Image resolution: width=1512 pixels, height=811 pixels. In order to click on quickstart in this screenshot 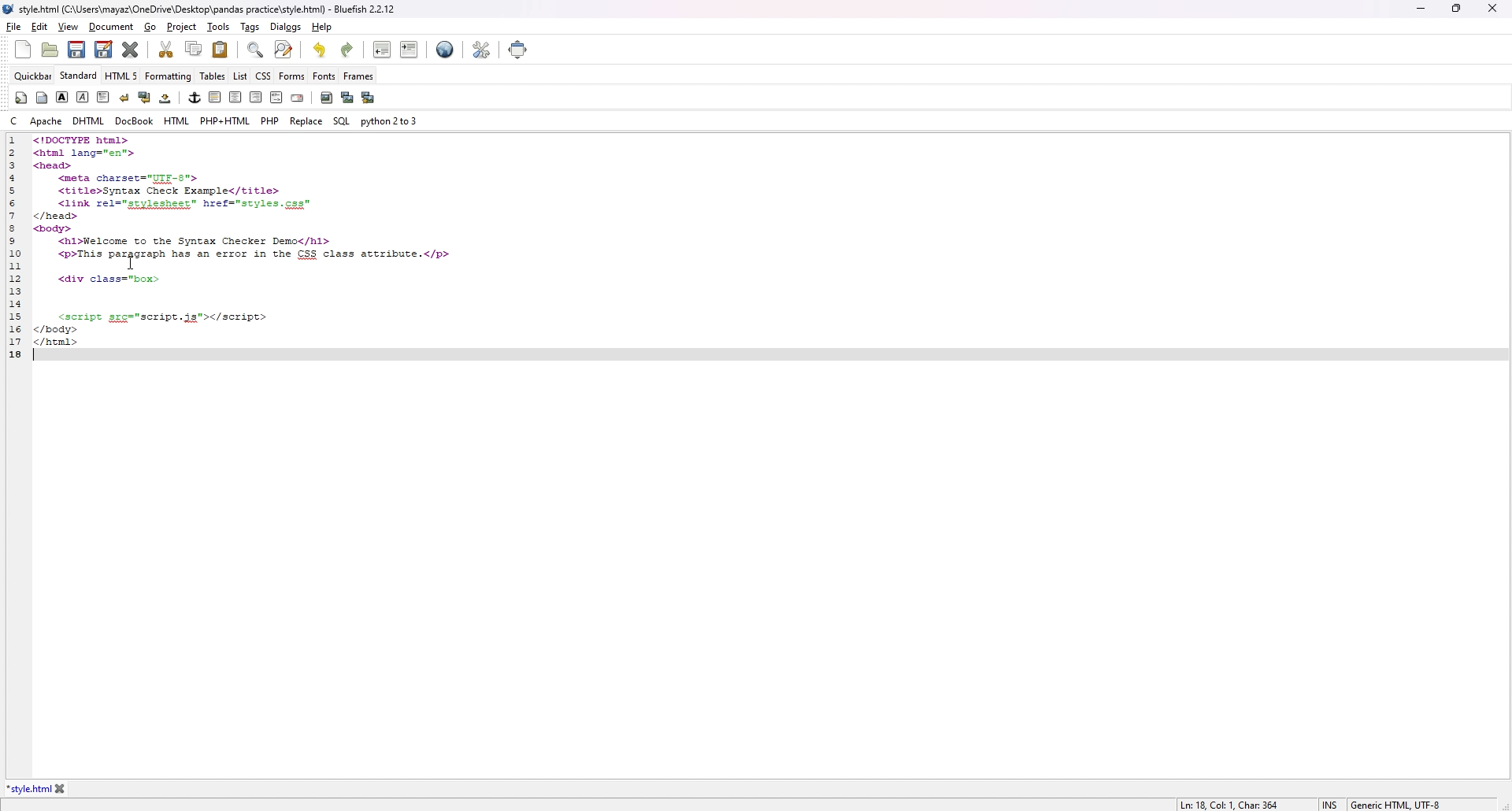, I will do `click(22, 98)`.